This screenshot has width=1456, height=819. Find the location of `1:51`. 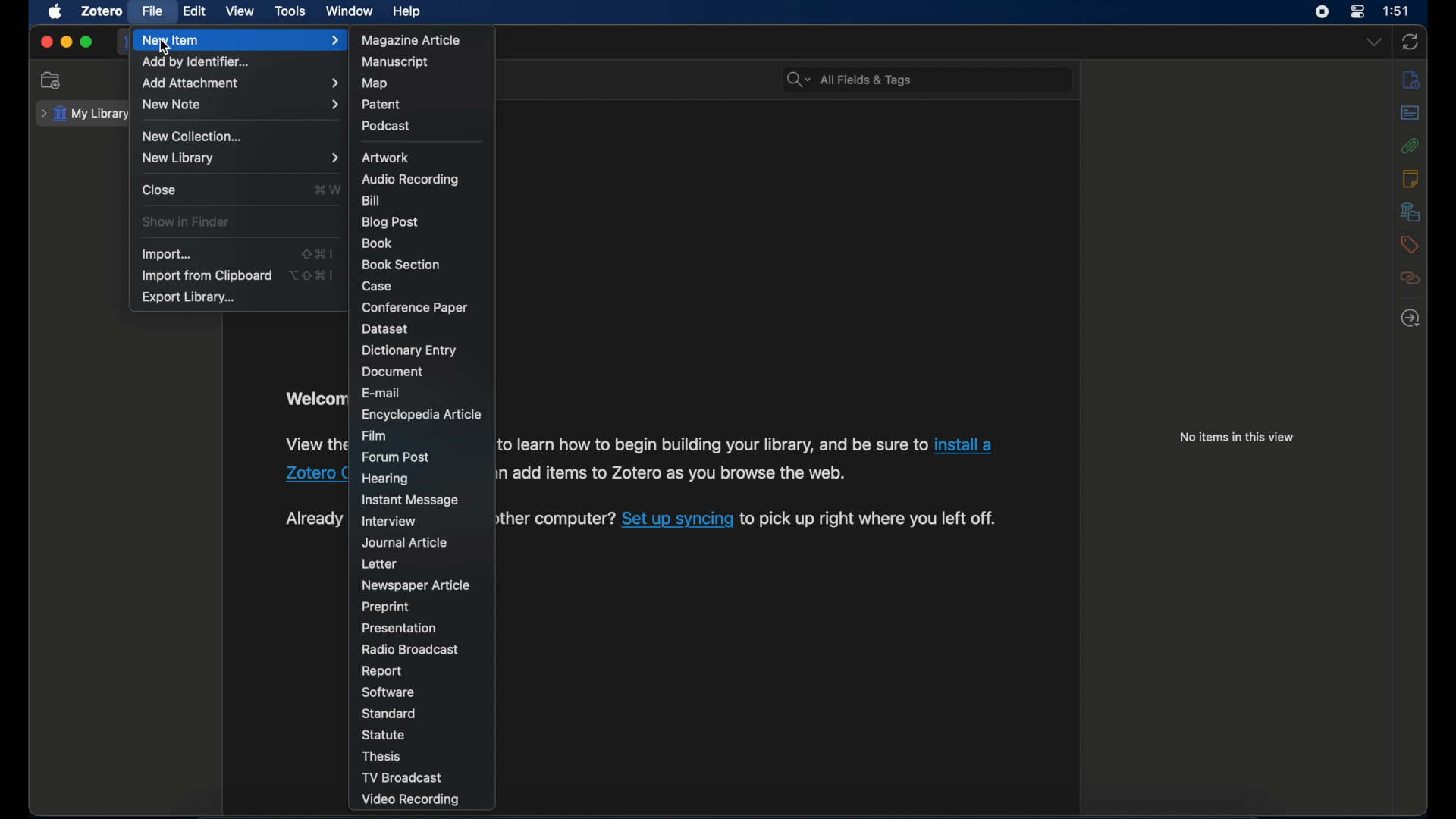

1:51 is located at coordinates (1398, 11).